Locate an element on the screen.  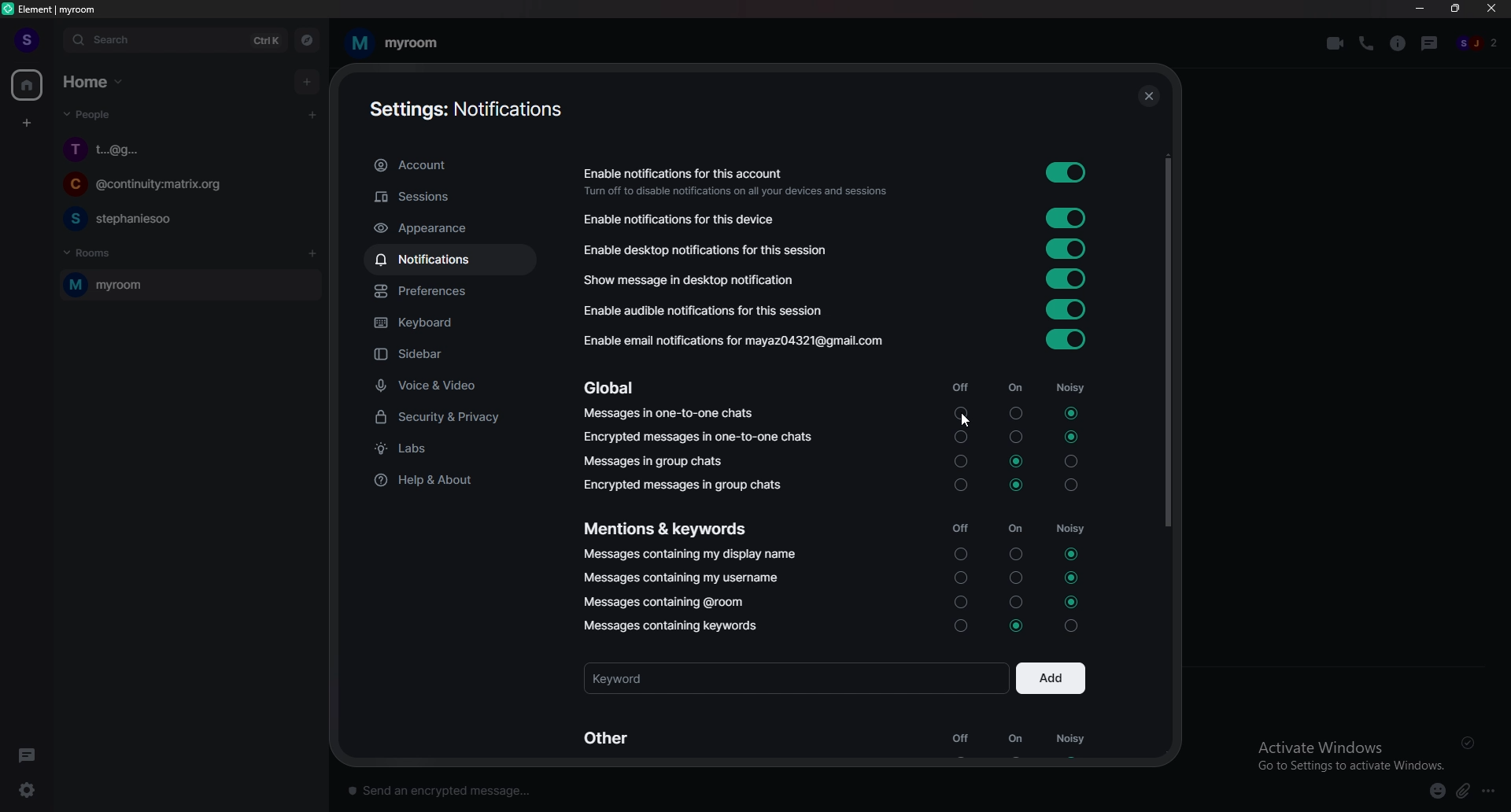
settings account is located at coordinates (466, 109).